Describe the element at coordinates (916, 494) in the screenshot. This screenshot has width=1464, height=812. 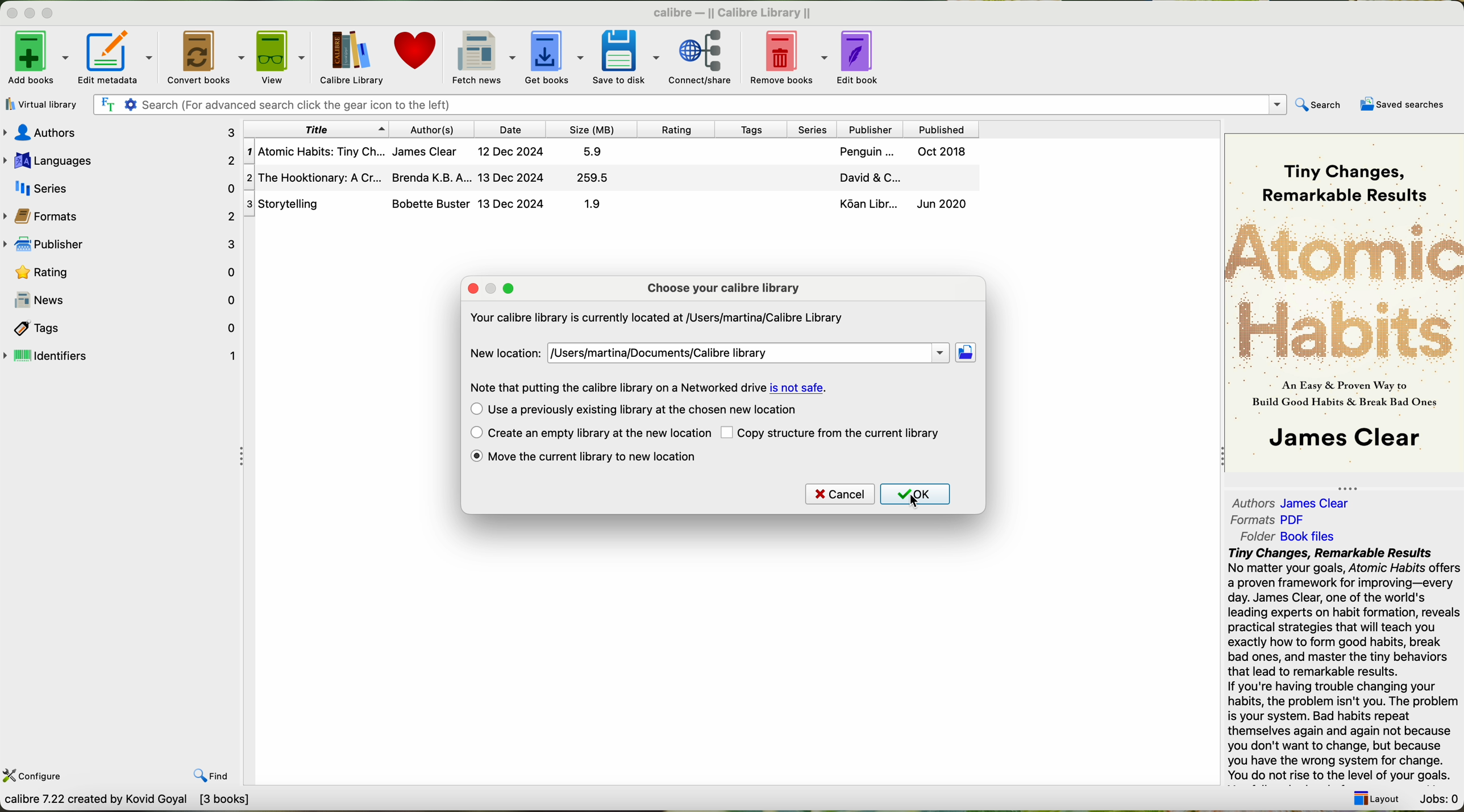
I see `OK` at that location.